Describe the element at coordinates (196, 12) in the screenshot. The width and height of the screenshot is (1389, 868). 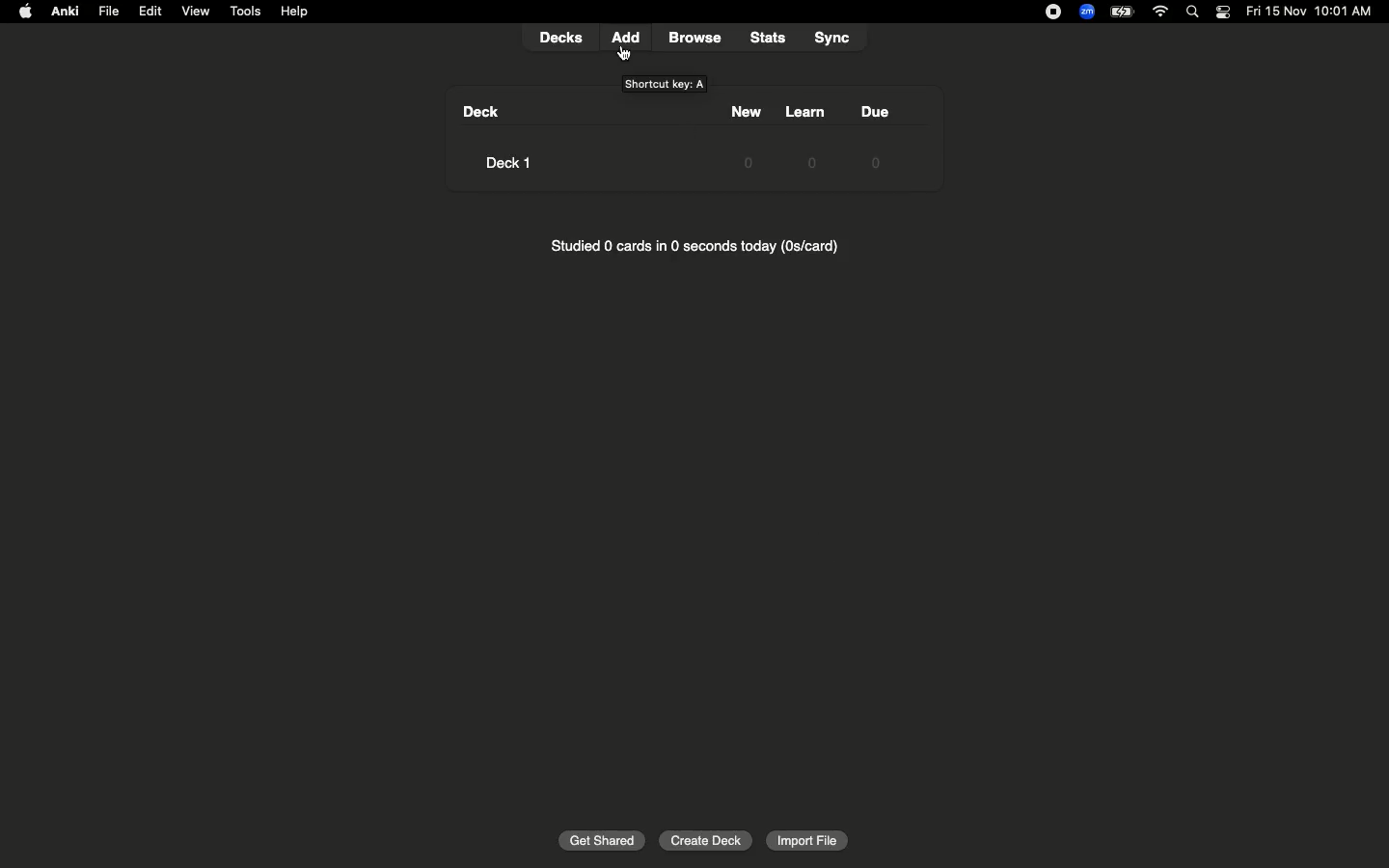
I see `View` at that location.